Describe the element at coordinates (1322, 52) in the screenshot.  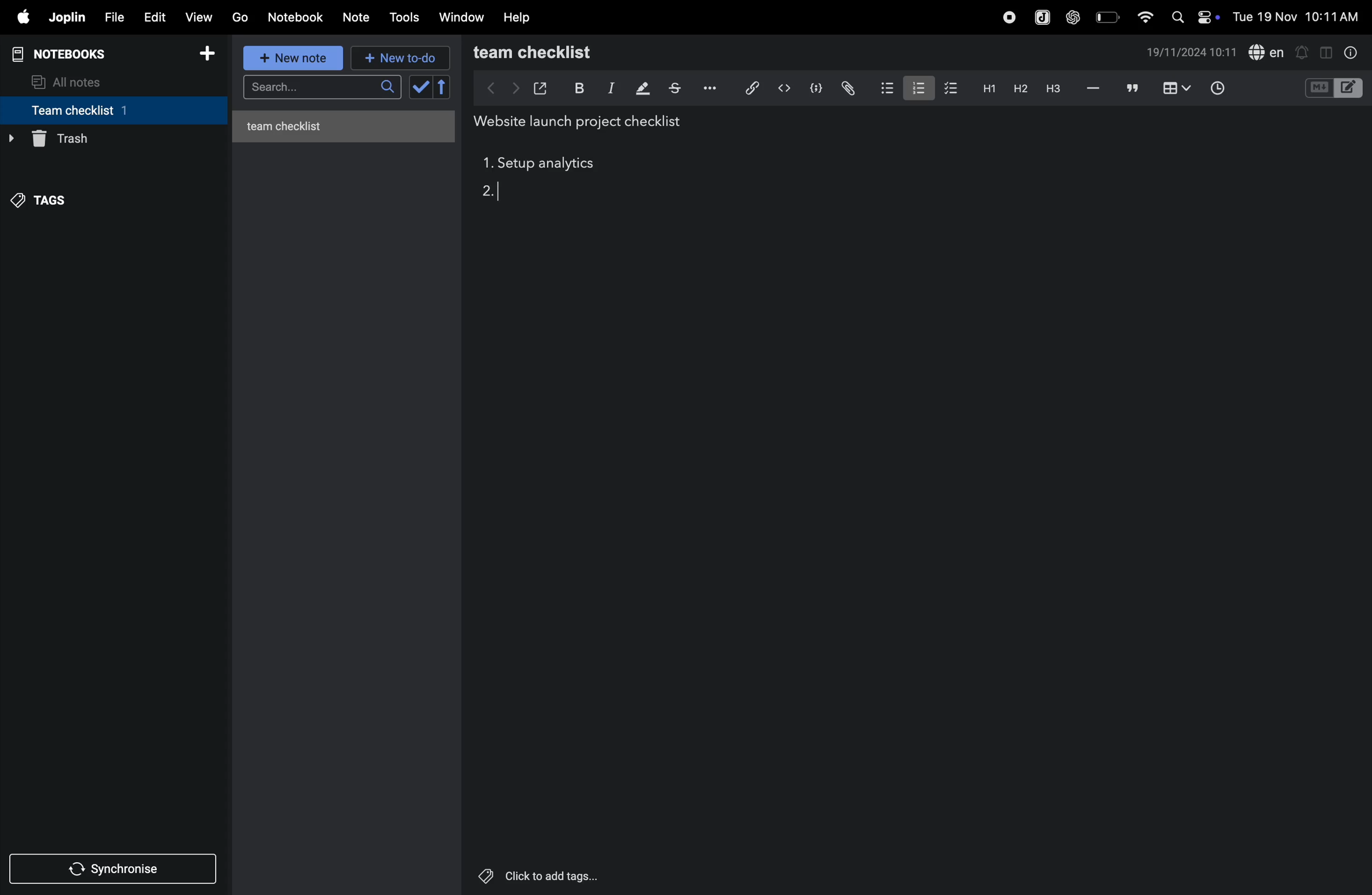
I see `toggle editor` at that location.